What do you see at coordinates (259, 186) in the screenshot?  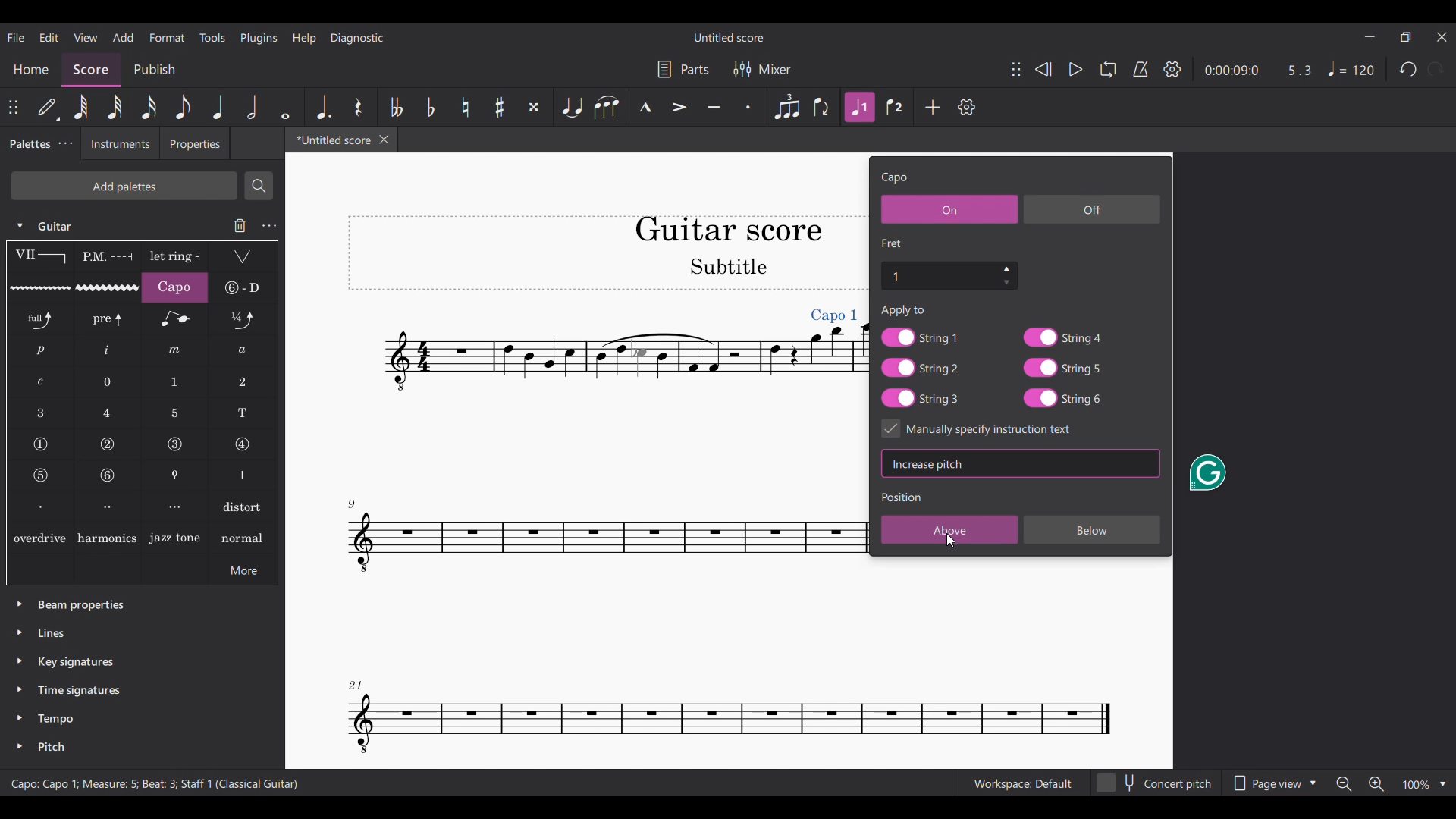 I see `Search` at bounding box center [259, 186].